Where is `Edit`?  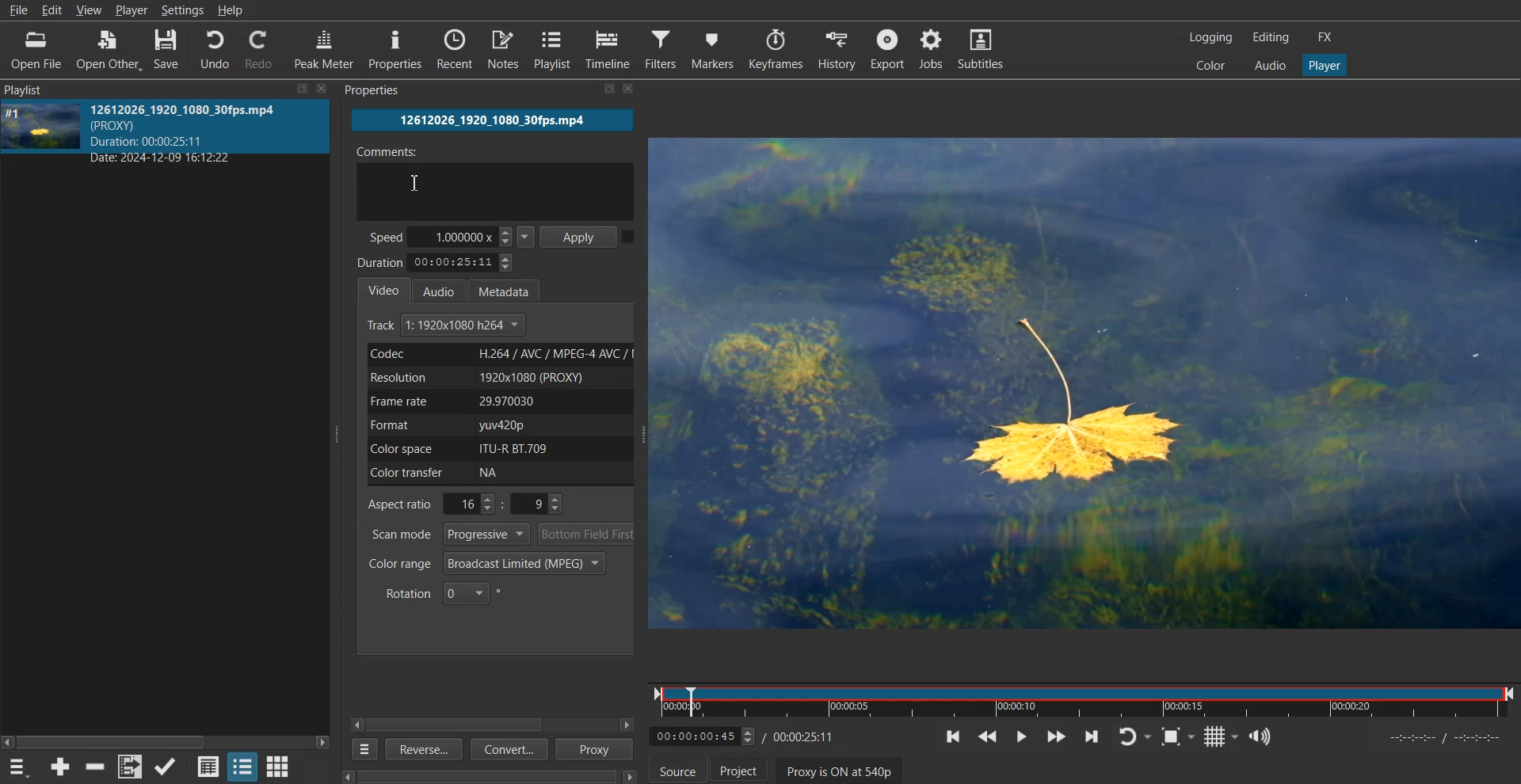 Edit is located at coordinates (51, 10).